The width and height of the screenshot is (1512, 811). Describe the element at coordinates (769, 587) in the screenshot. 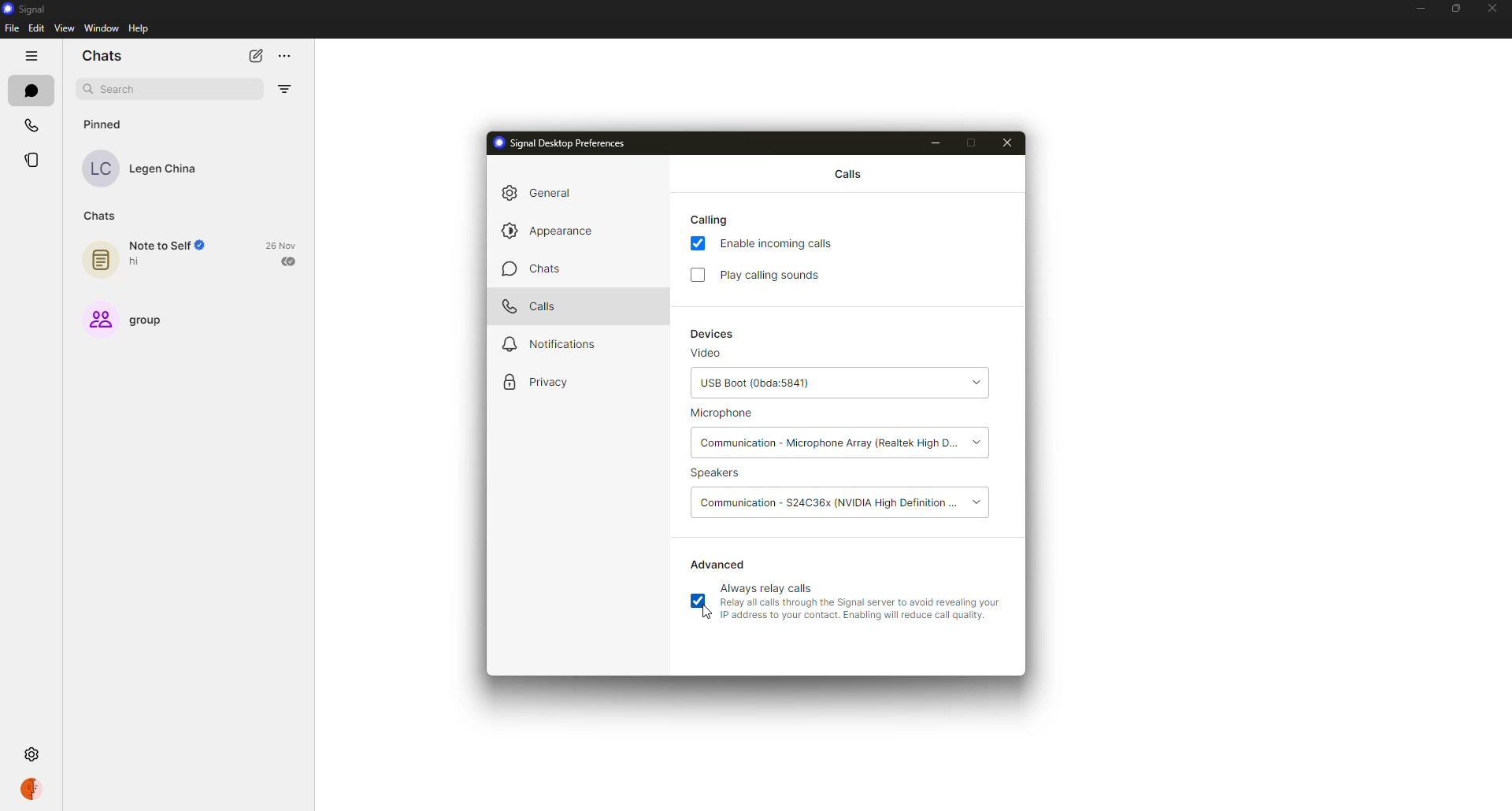

I see `always relay calls` at that location.